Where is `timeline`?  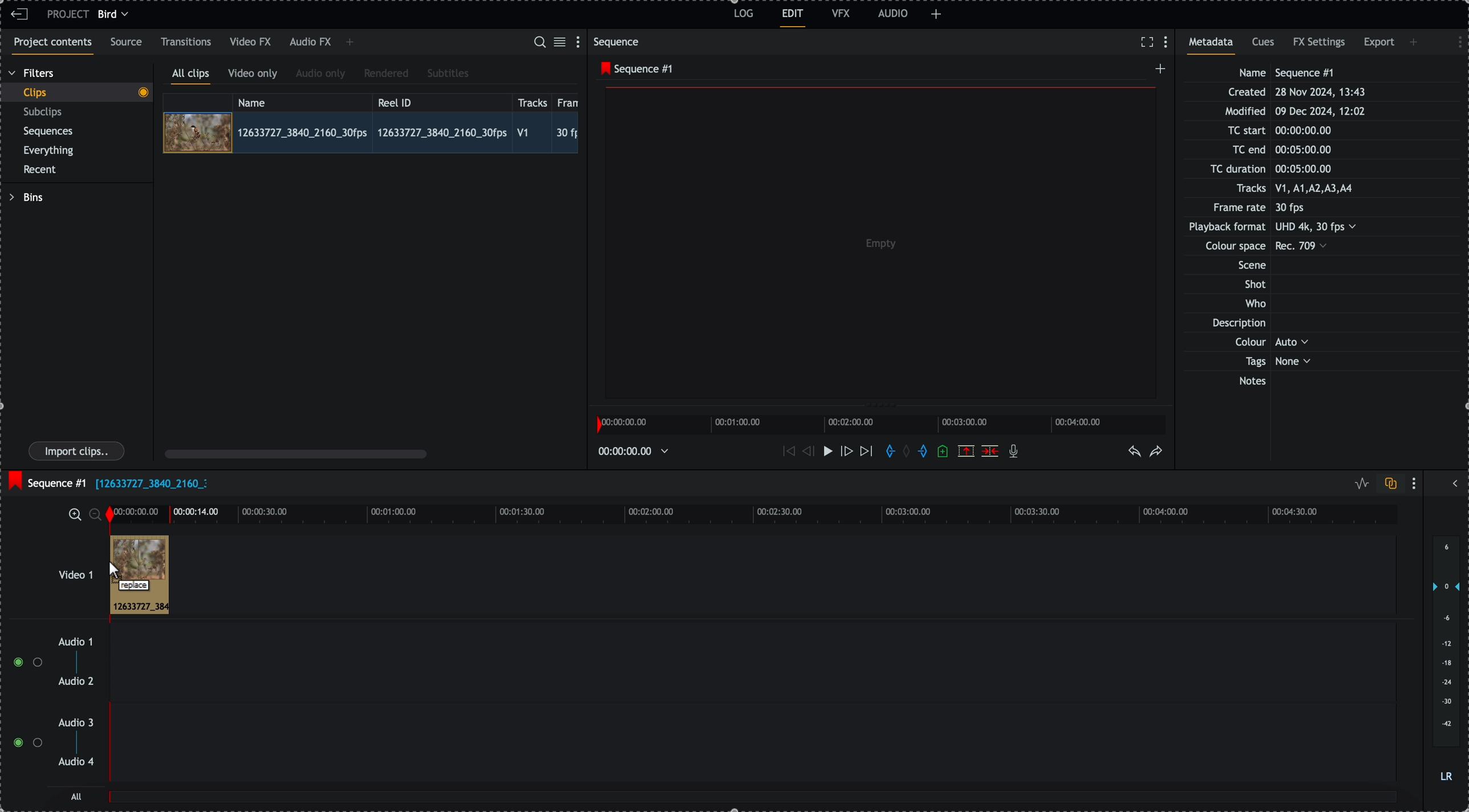
timeline is located at coordinates (884, 423).